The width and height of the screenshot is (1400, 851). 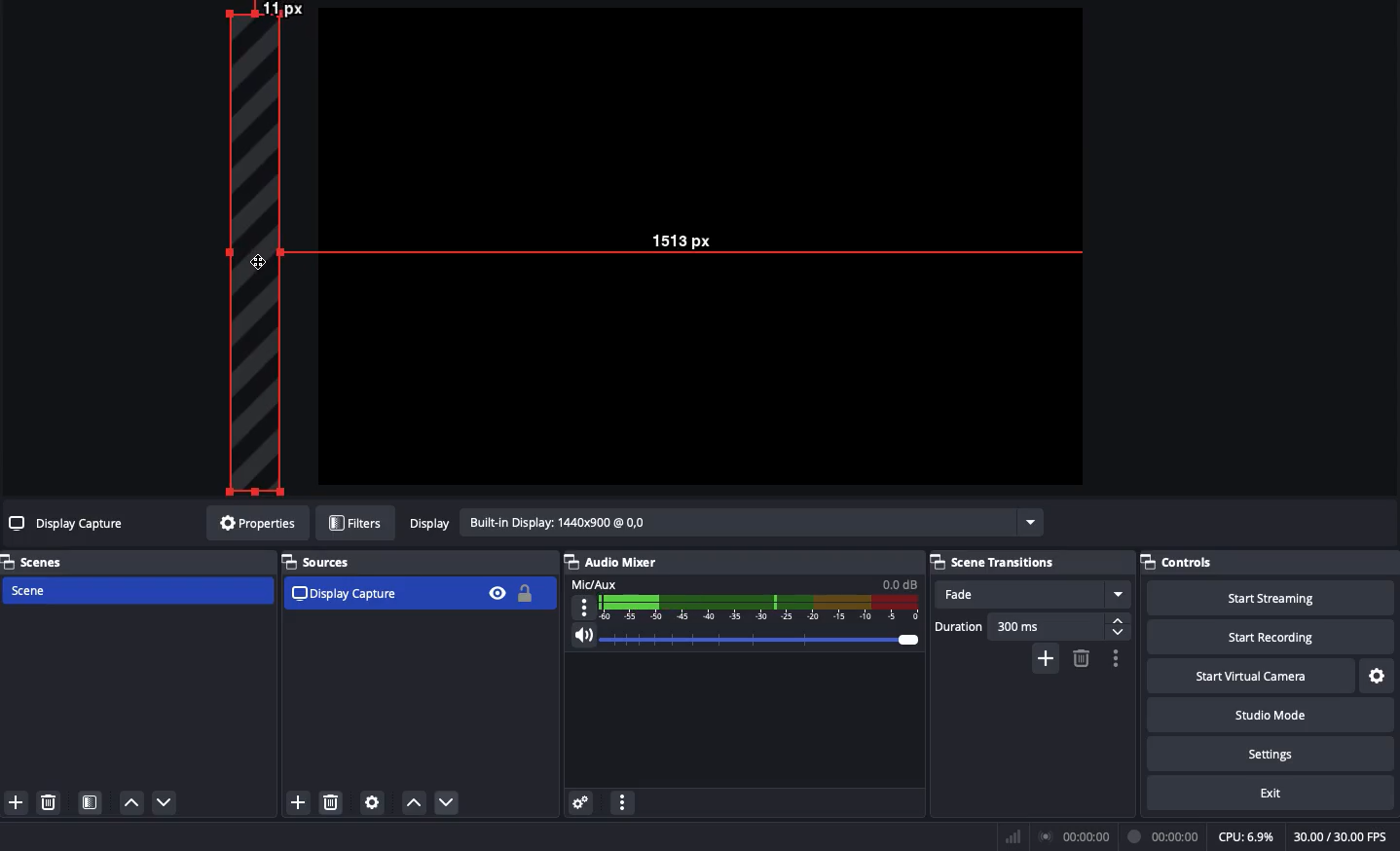 What do you see at coordinates (682, 240) in the screenshot?
I see `1513 px` at bounding box center [682, 240].